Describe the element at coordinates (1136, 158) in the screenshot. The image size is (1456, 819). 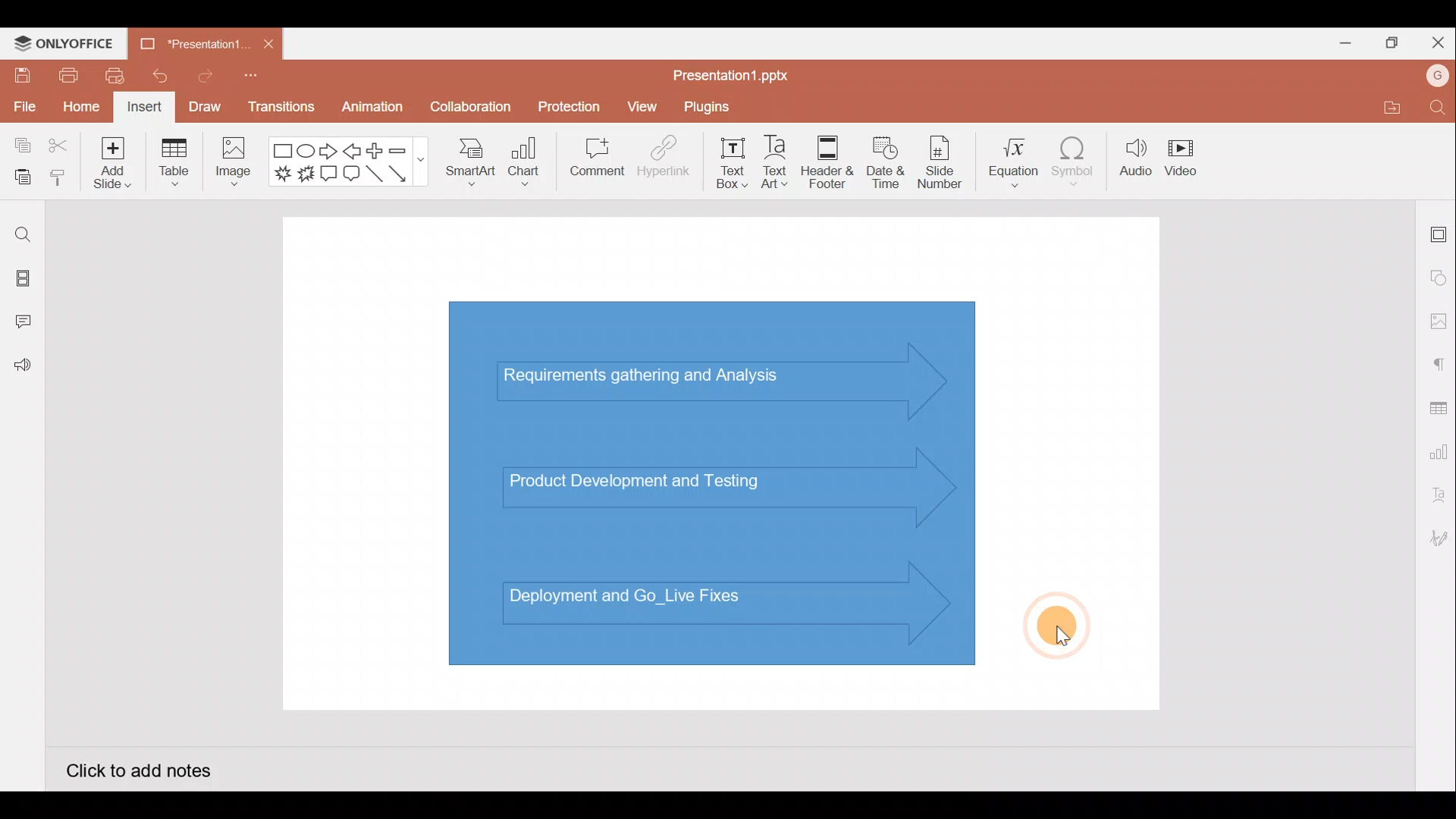
I see `Audio` at that location.